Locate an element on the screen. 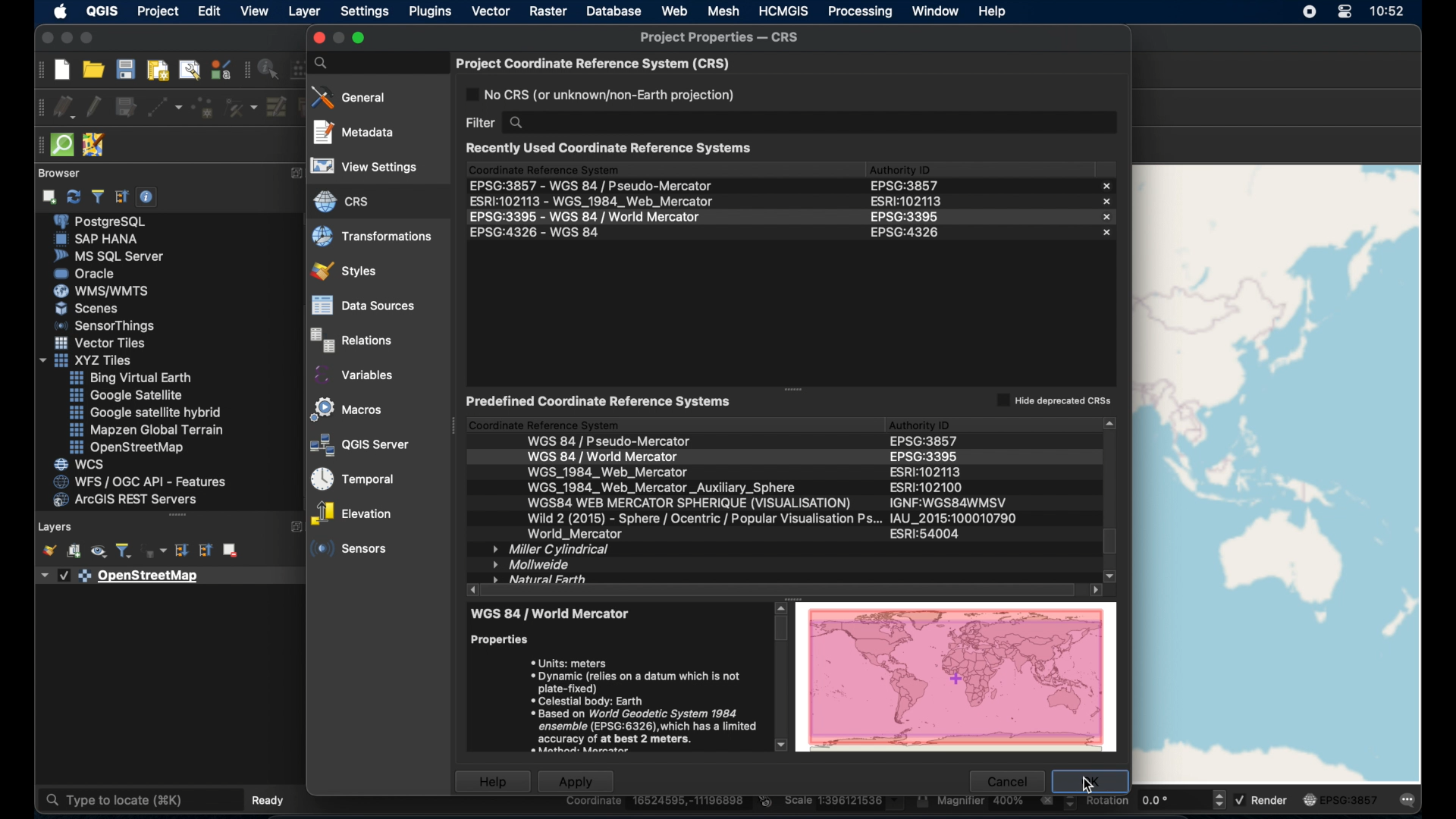  wsg web mercator is located at coordinates (688, 504).